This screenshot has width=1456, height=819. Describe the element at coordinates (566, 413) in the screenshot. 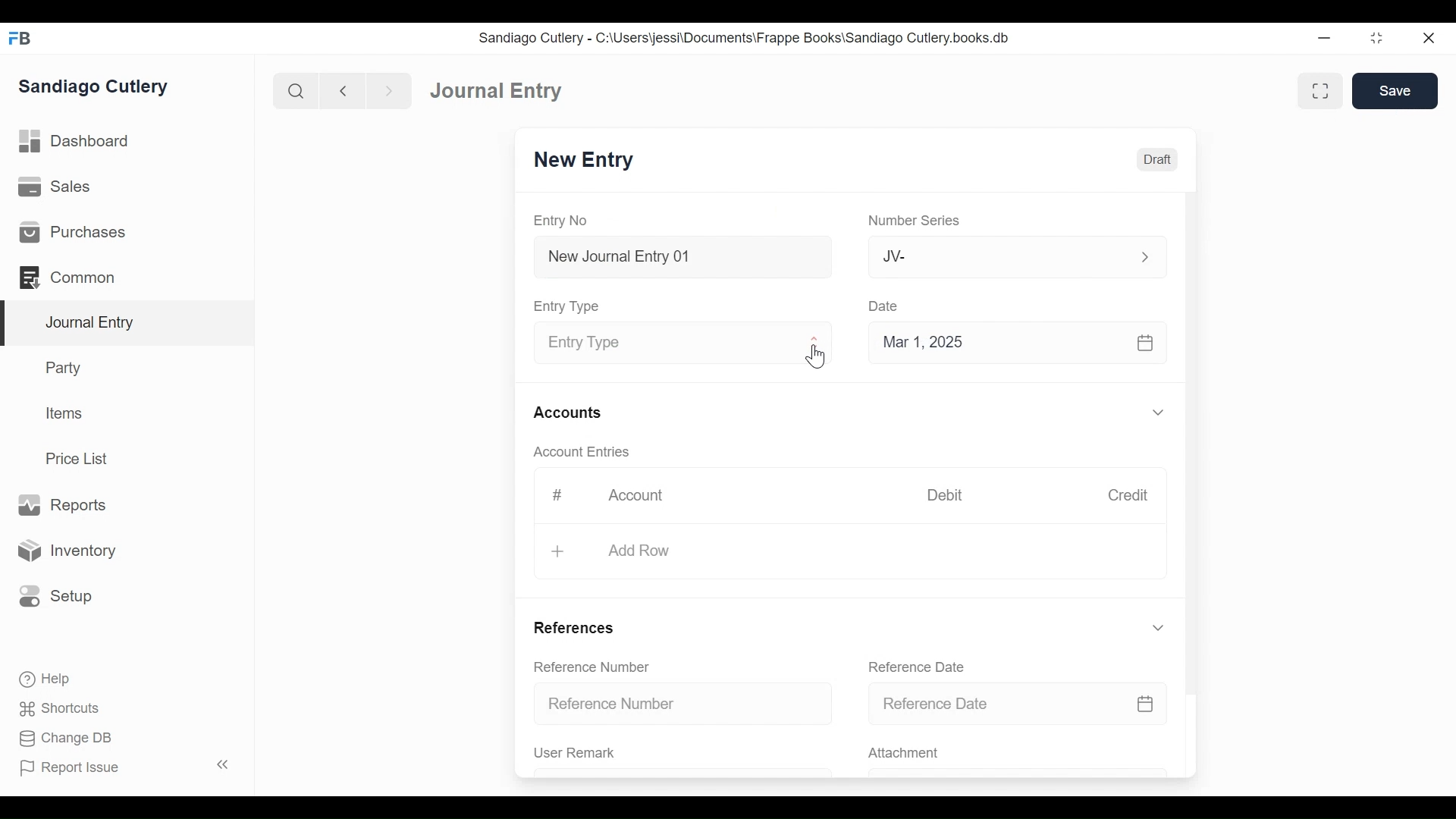

I see `Accounts` at that location.